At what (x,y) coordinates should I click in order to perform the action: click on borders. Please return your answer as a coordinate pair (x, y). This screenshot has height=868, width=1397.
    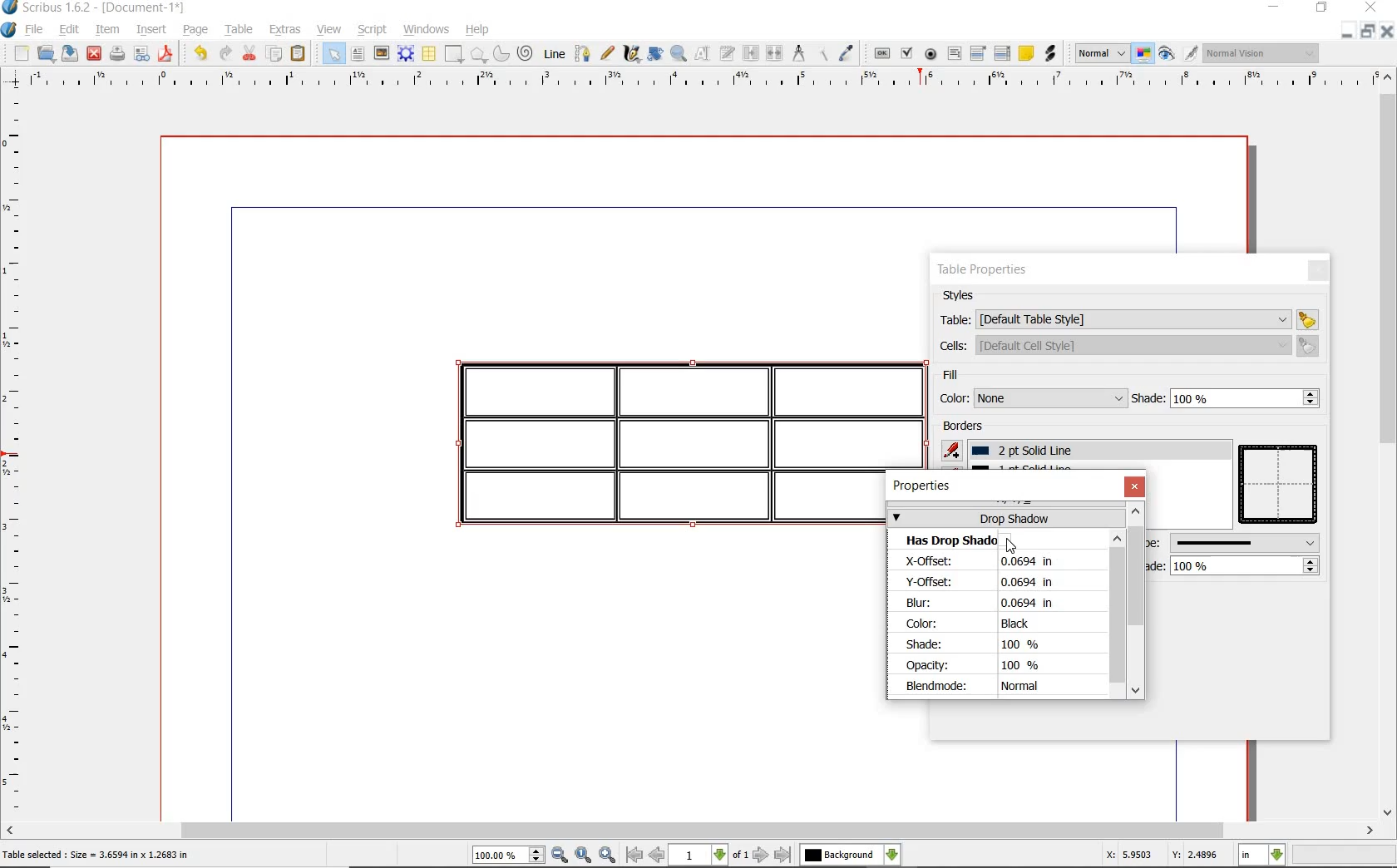
    Looking at the image, I should click on (966, 427).